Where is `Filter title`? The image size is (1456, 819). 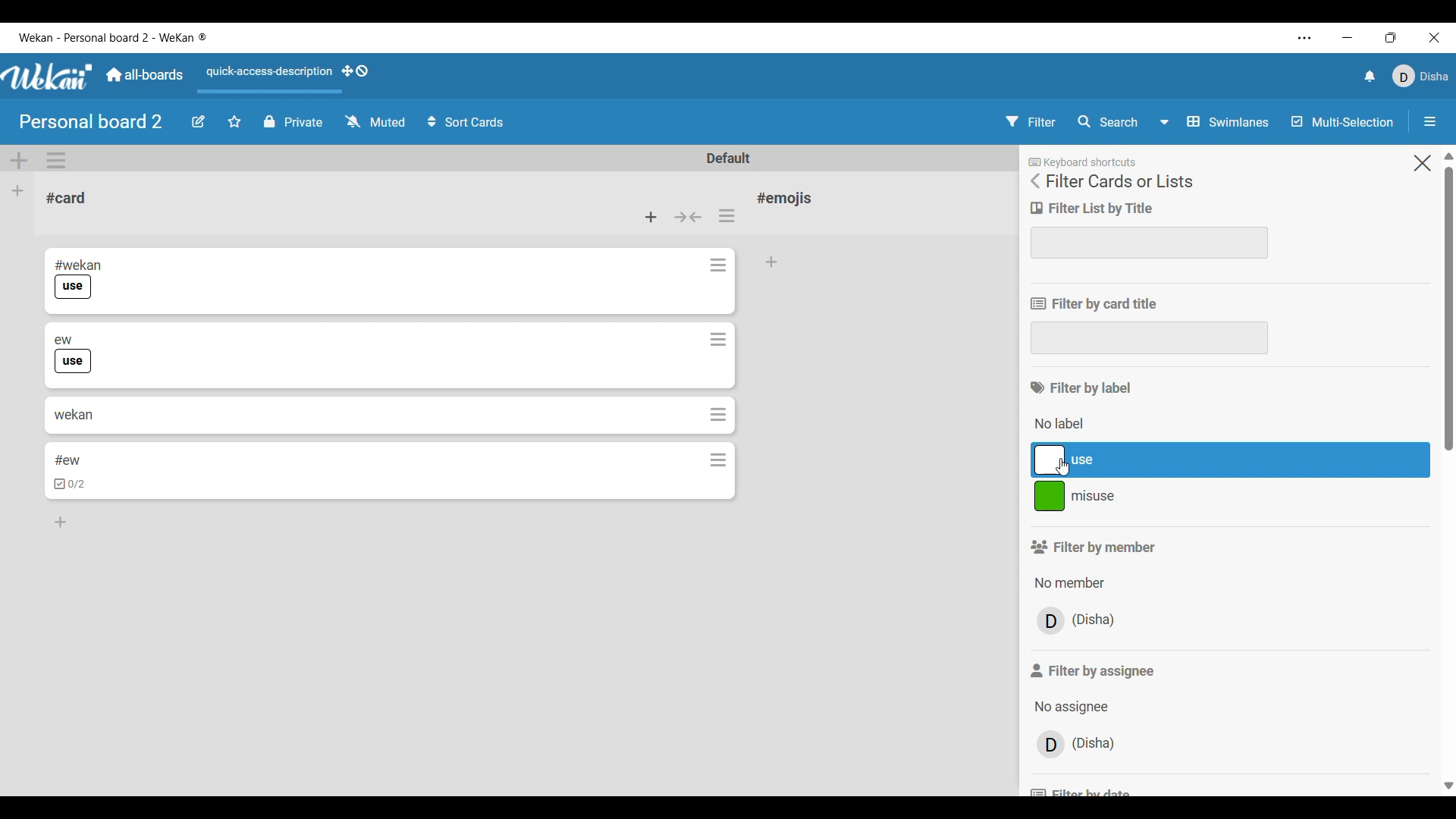
Filter title is located at coordinates (1093, 209).